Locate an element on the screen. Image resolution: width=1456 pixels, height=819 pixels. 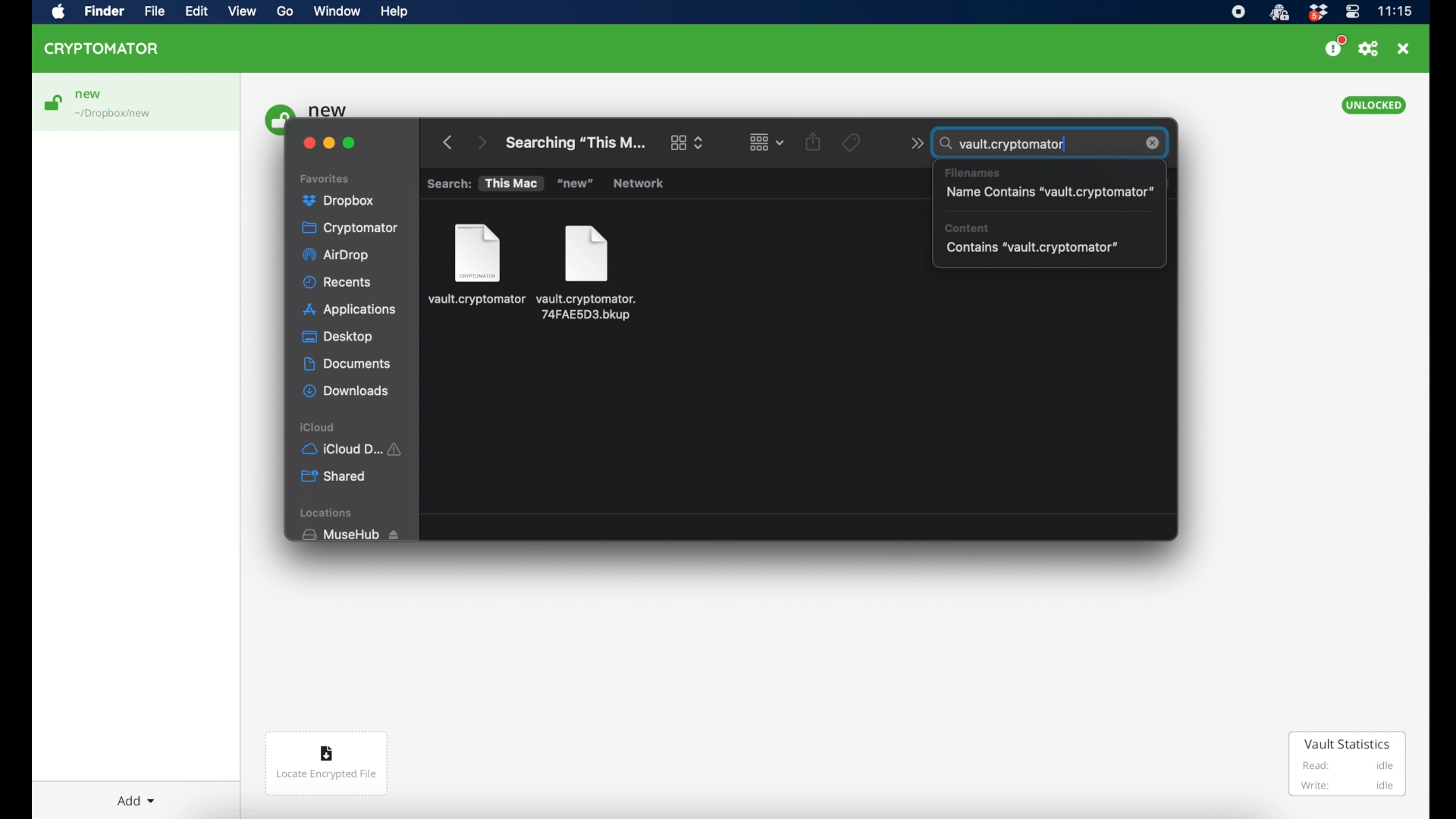
vault statistics is located at coordinates (1348, 763).